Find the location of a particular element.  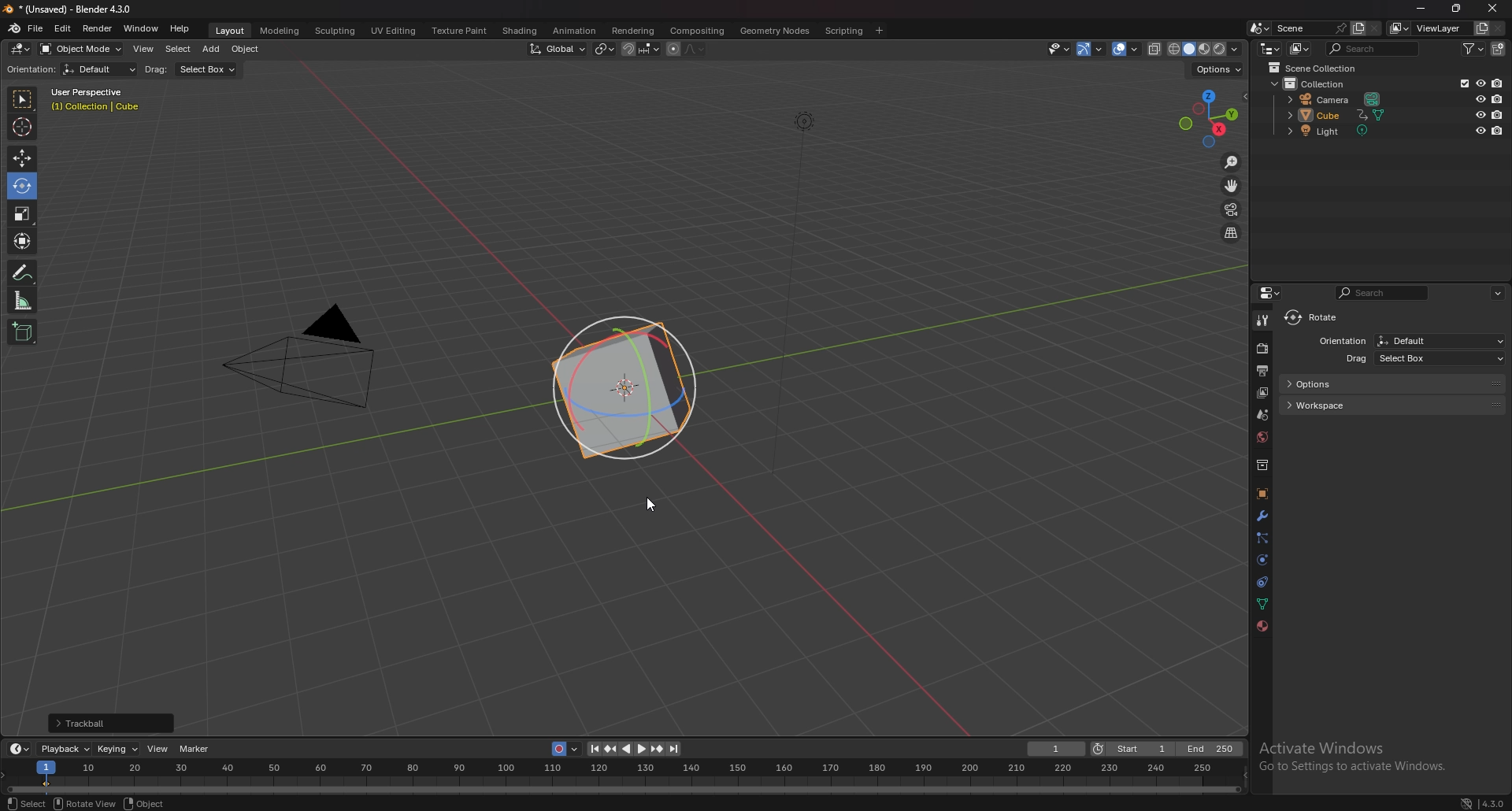

constraints is located at coordinates (1263, 581).